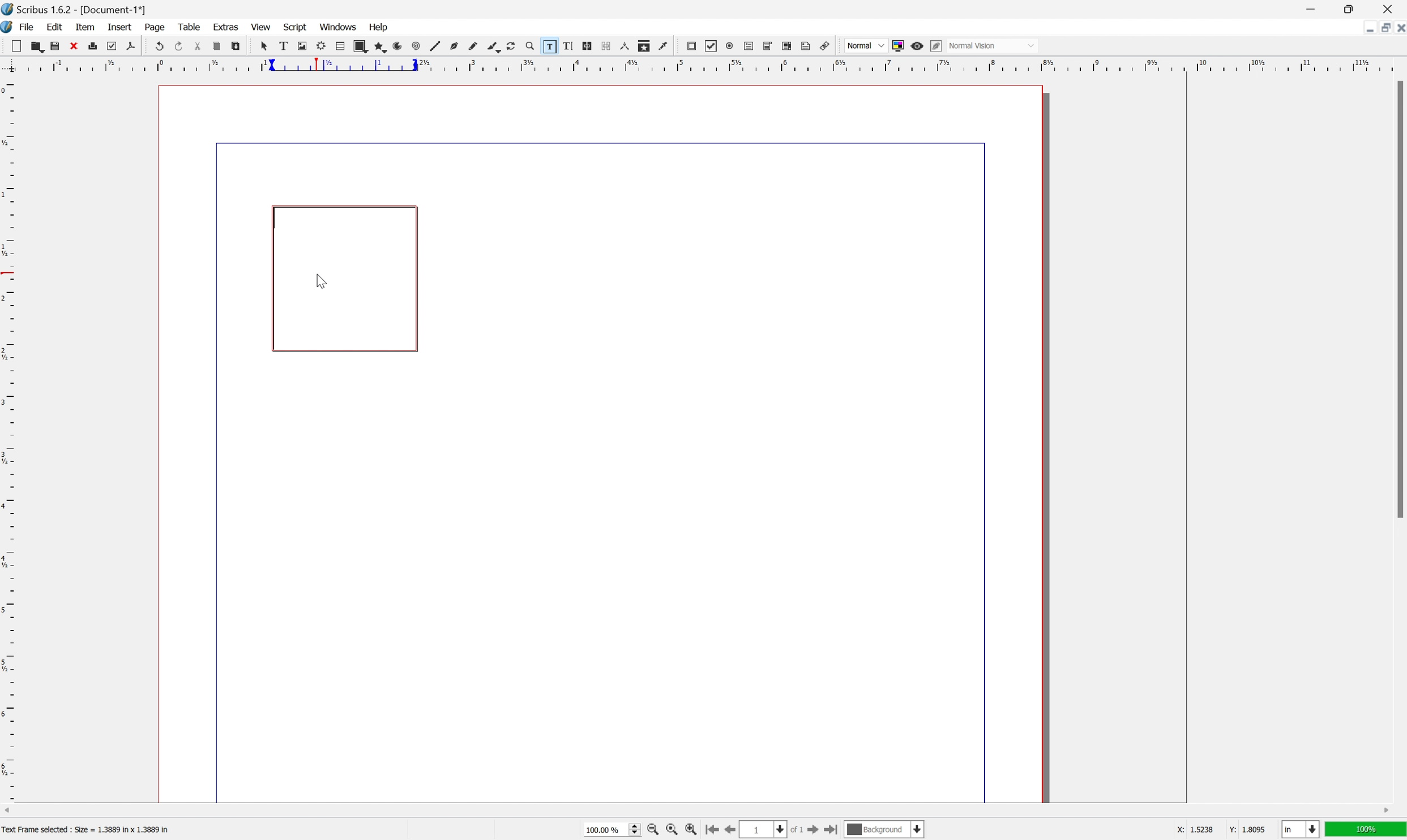 This screenshot has width=1407, height=840. Describe the element at coordinates (54, 27) in the screenshot. I see `edit` at that location.